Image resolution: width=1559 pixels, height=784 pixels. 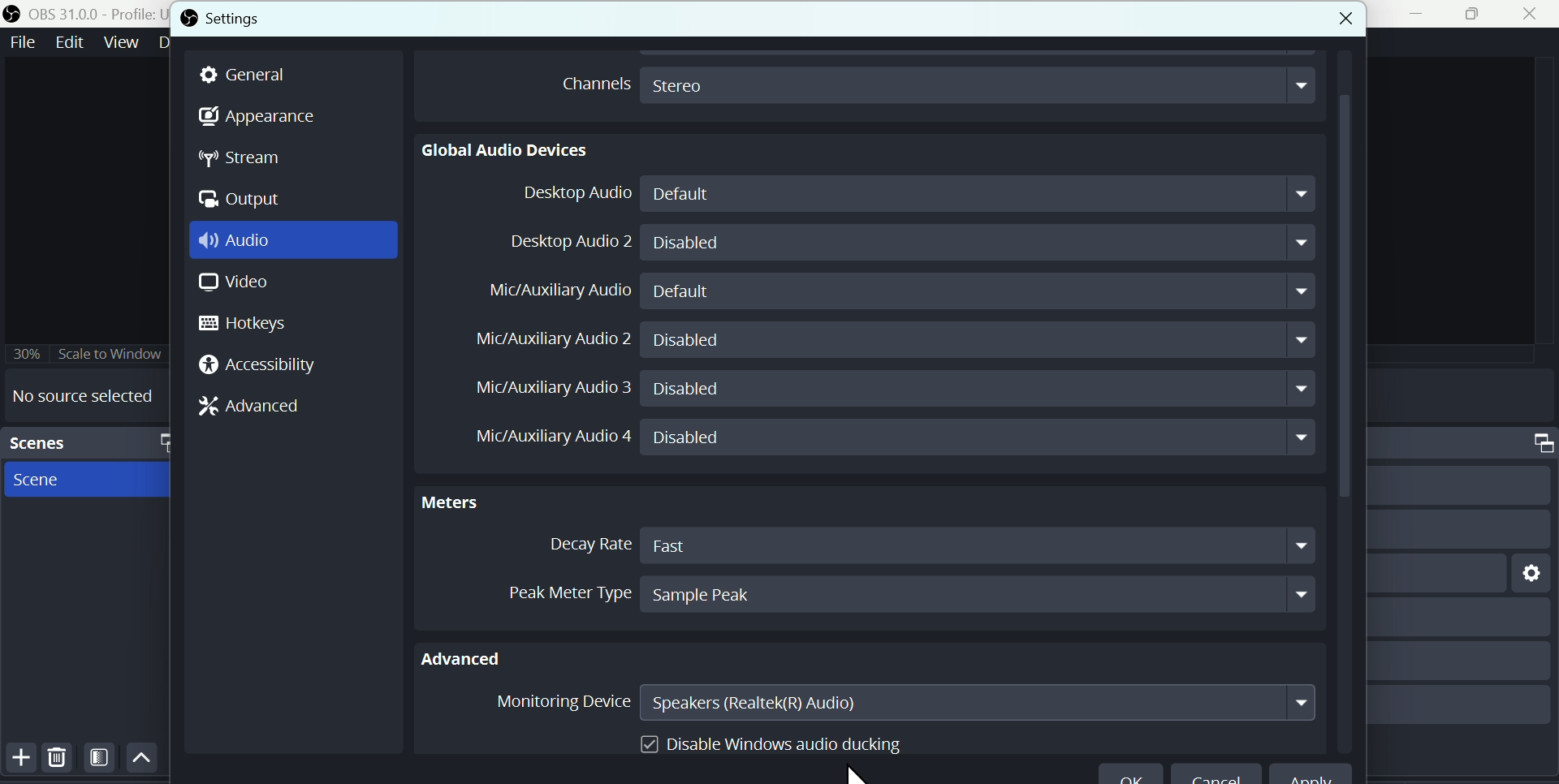 What do you see at coordinates (774, 740) in the screenshot?
I see `Disable Windows audio ducking` at bounding box center [774, 740].